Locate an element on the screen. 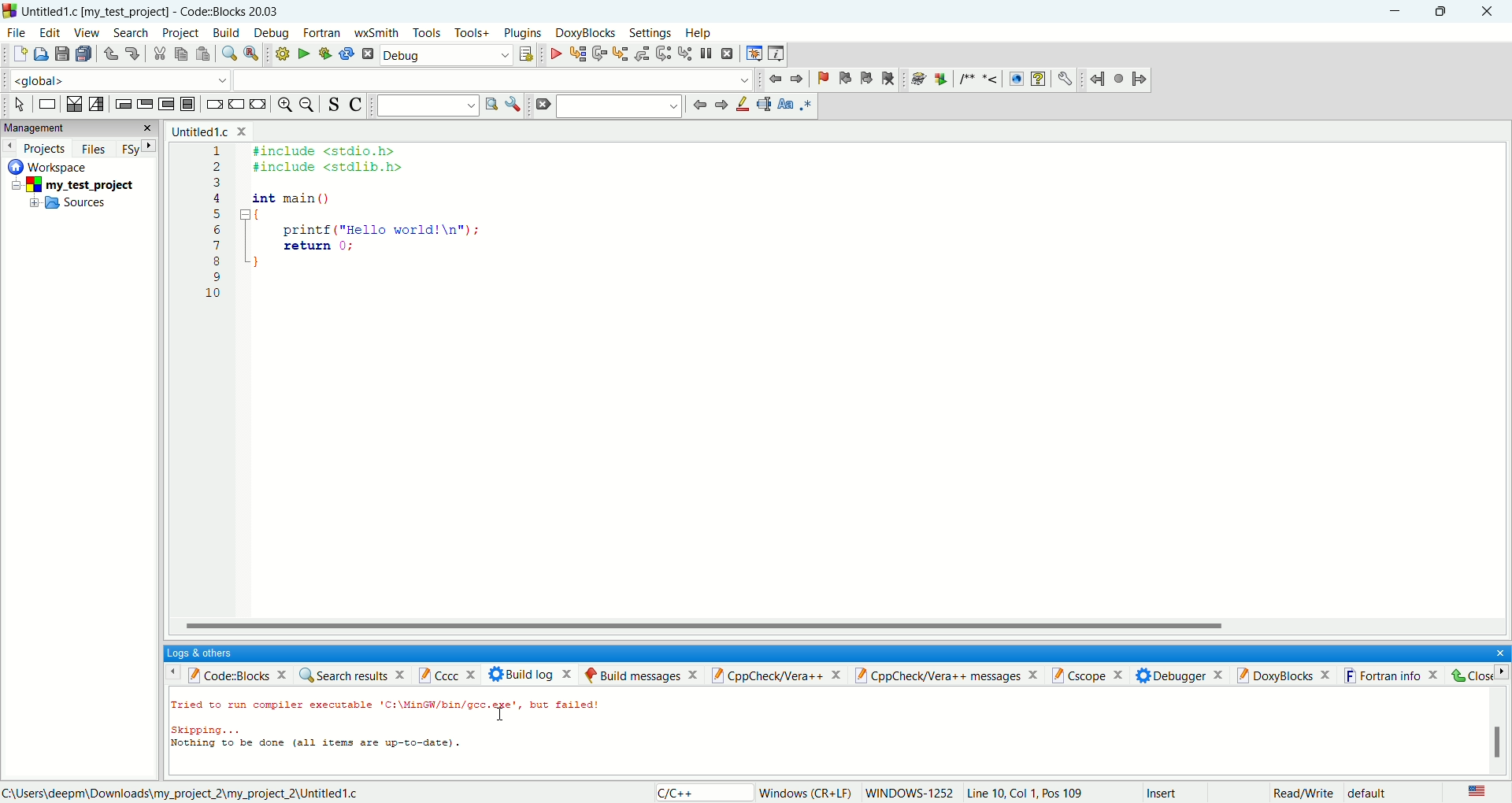  management is located at coordinates (77, 128).